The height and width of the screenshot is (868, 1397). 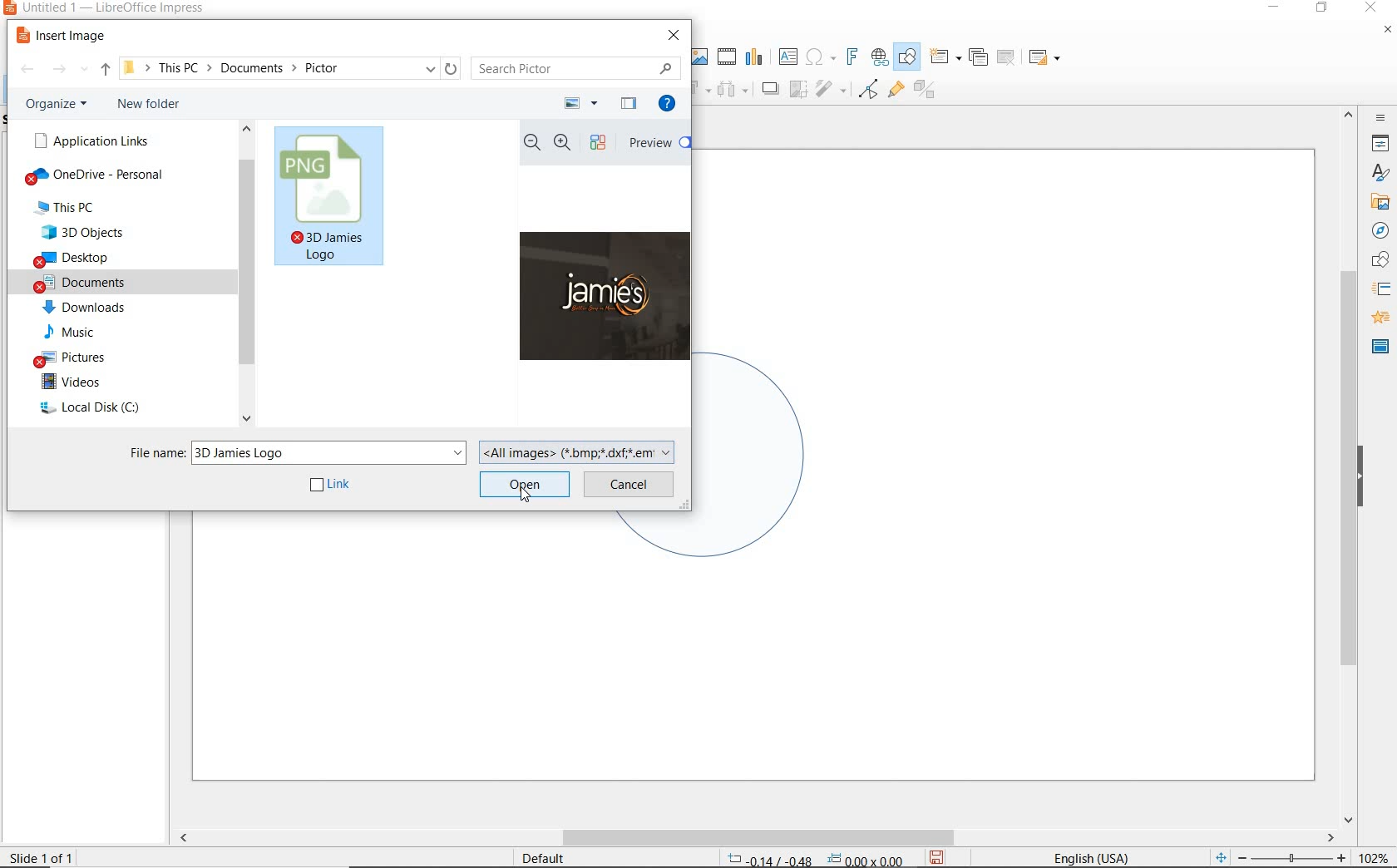 What do you see at coordinates (524, 483) in the screenshot?
I see `OPEN` at bounding box center [524, 483].